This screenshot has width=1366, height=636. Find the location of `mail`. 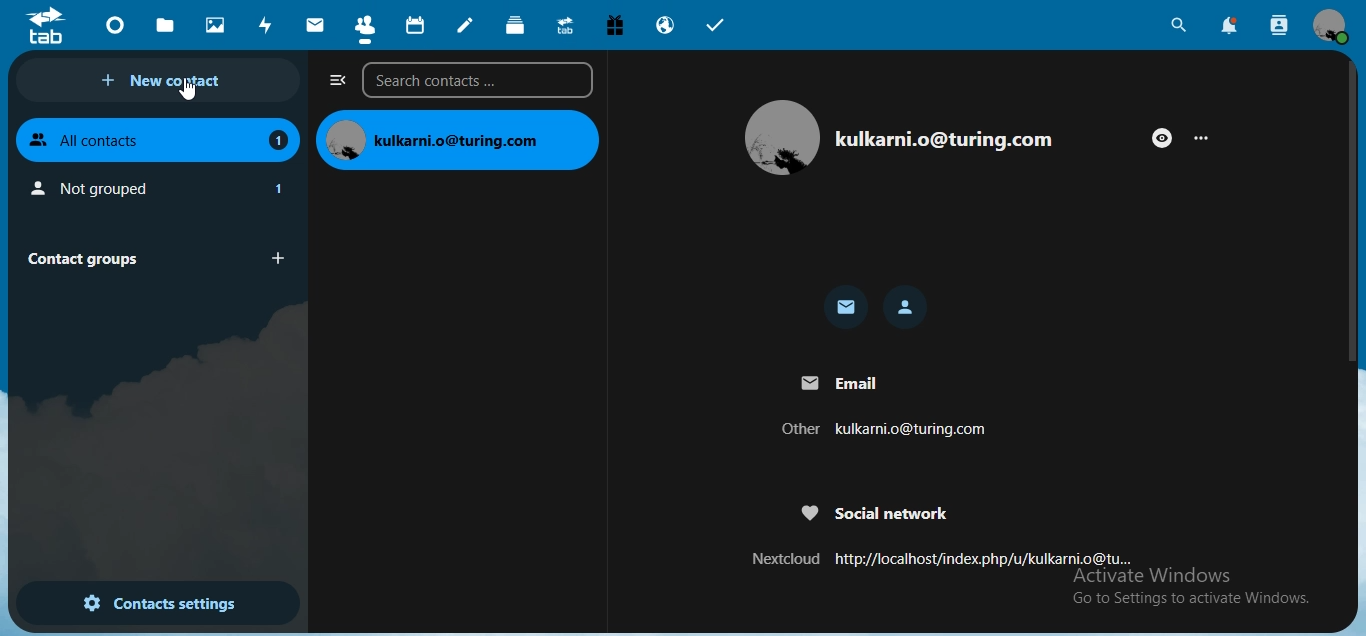

mail is located at coordinates (847, 307).